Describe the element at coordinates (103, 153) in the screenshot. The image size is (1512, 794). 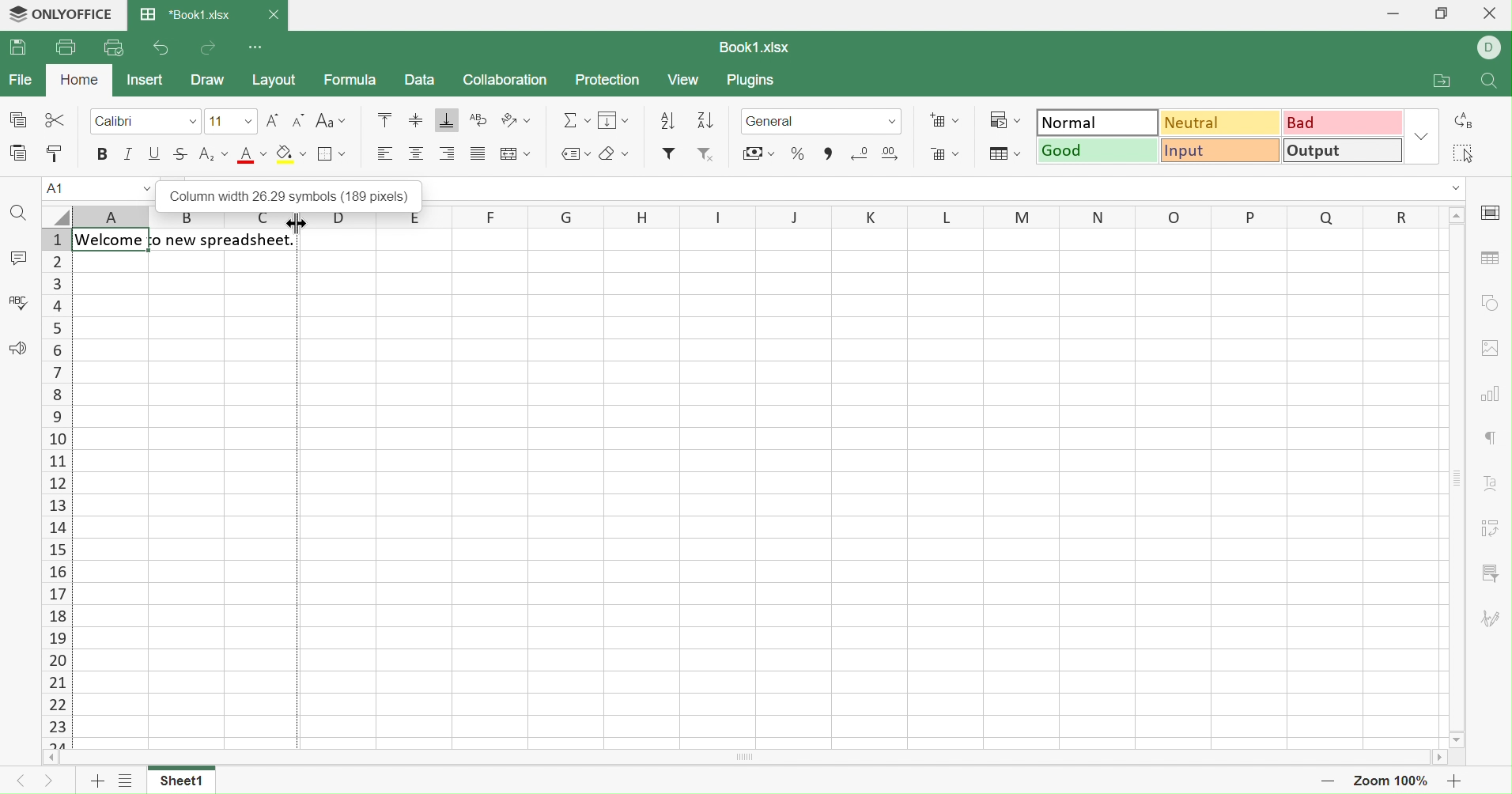
I see `Bold` at that location.